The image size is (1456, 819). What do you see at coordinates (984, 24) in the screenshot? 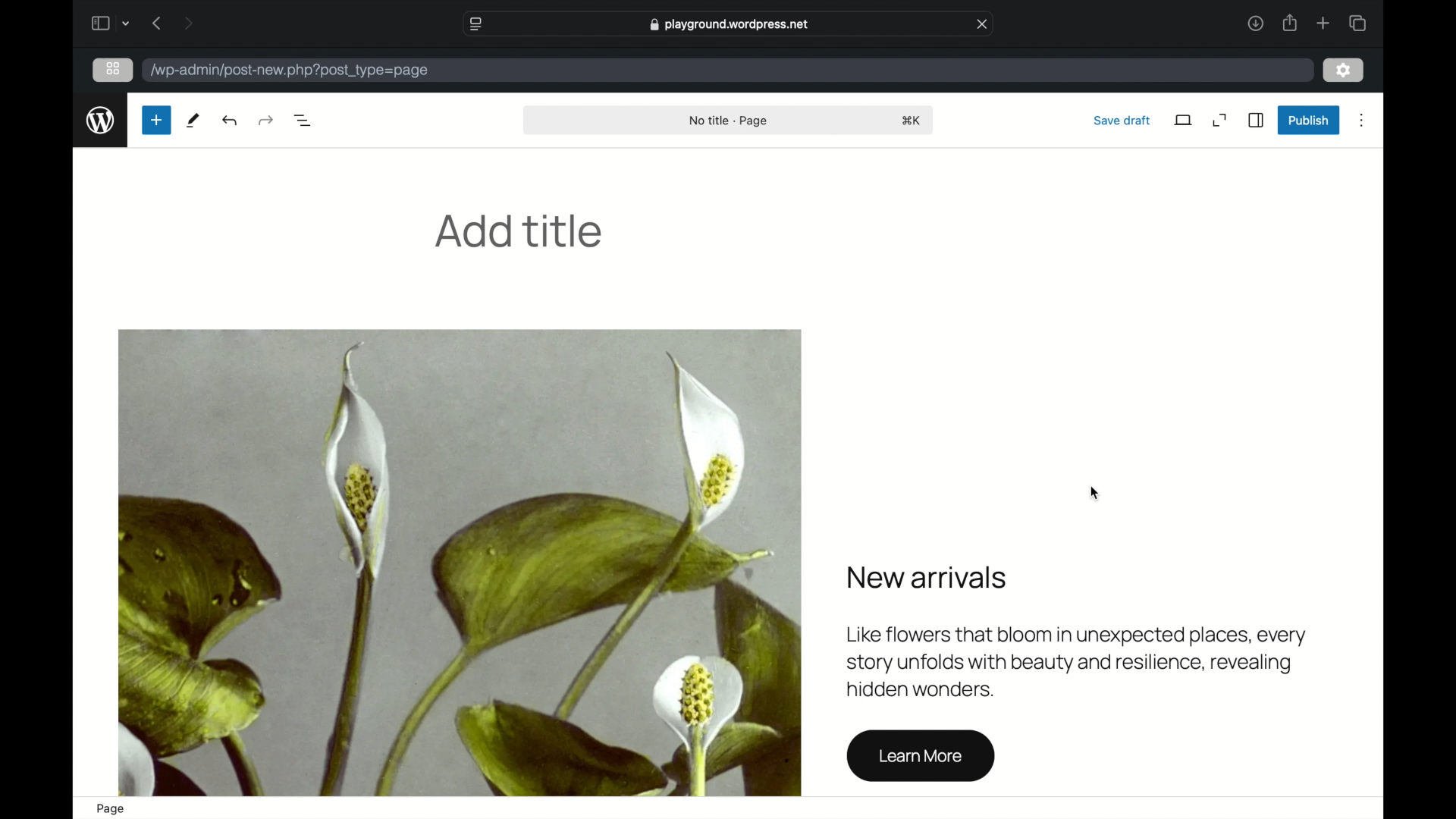
I see `close` at bounding box center [984, 24].